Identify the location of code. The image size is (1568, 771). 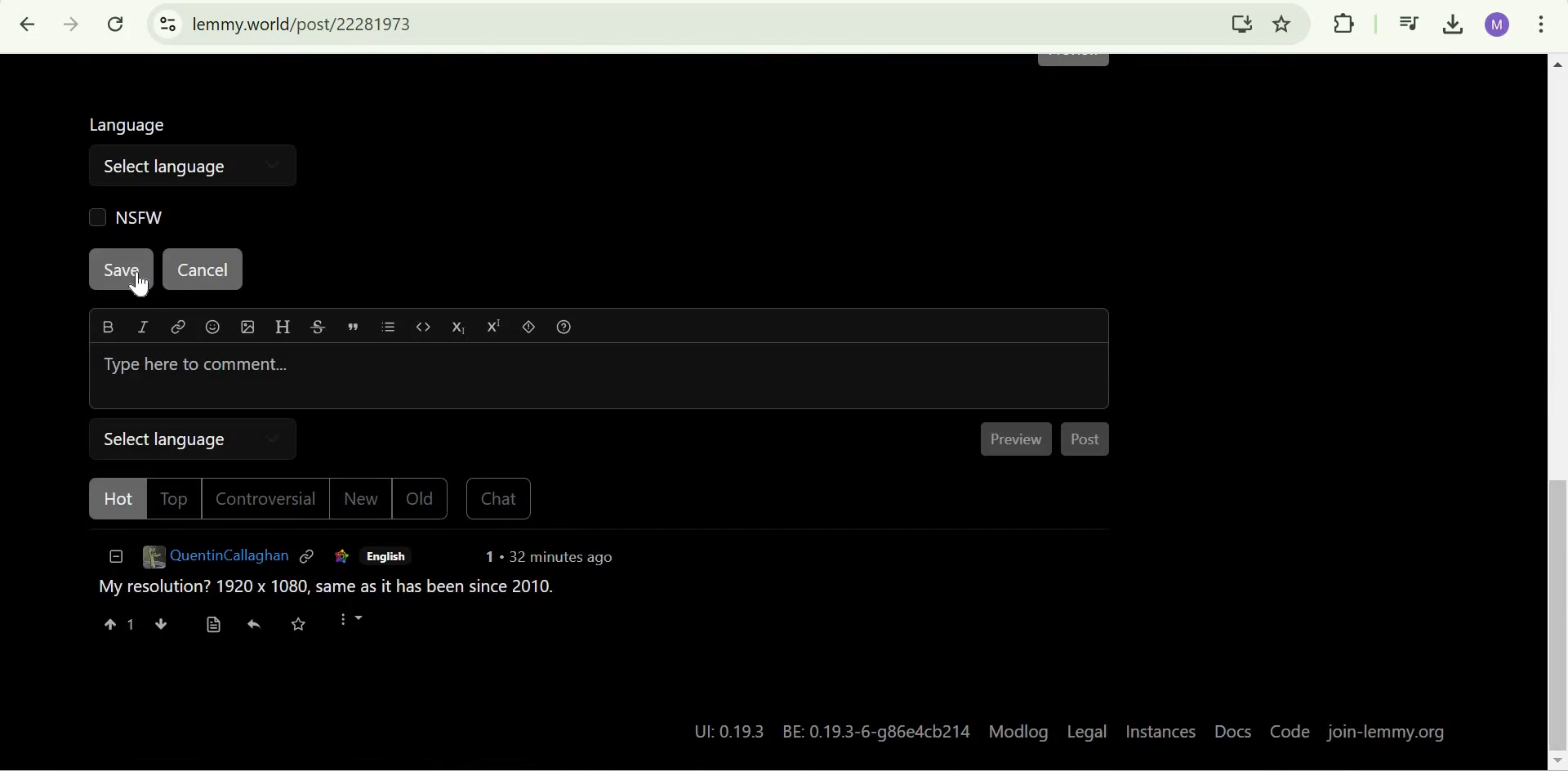
(425, 330).